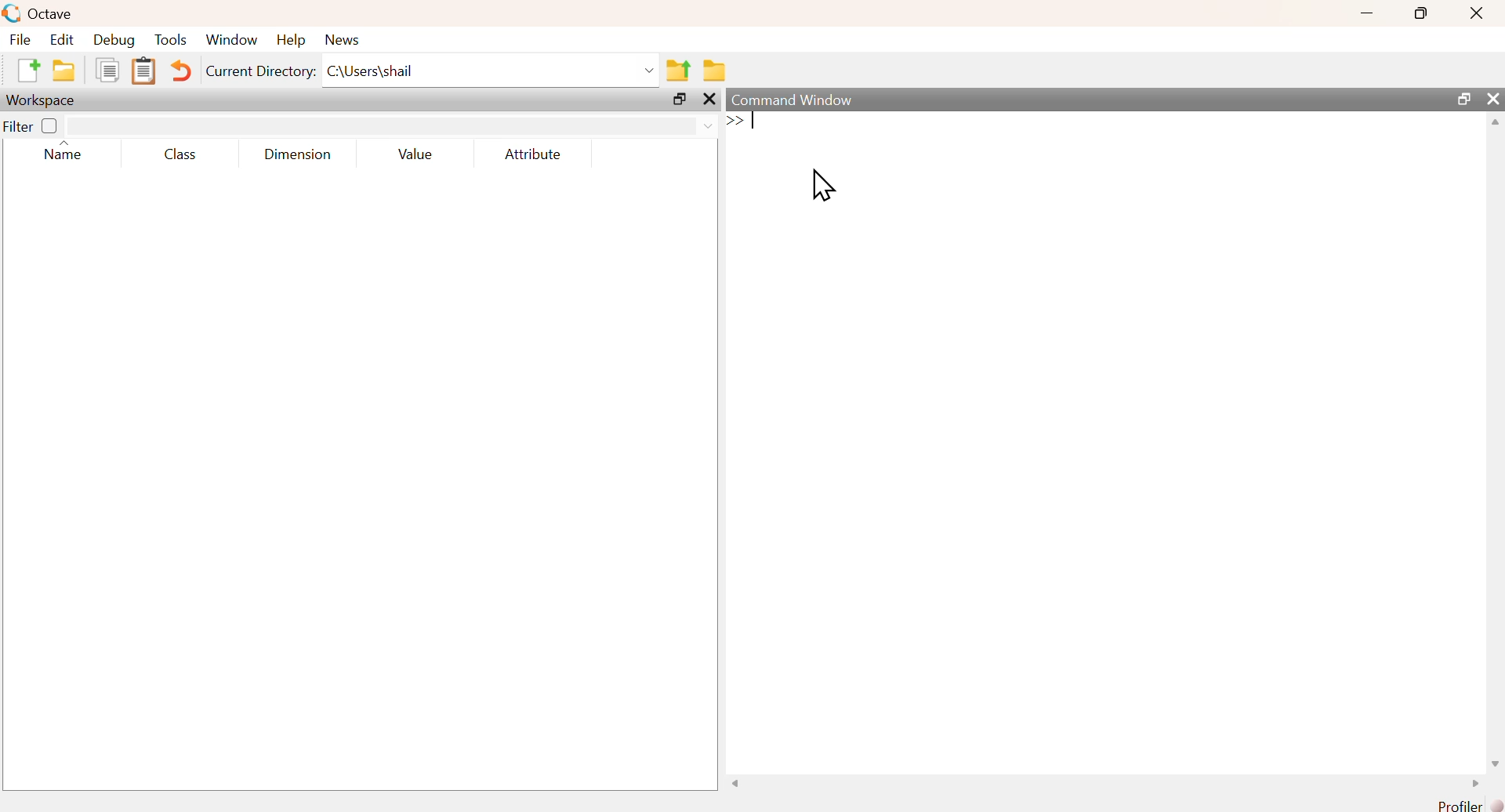 This screenshot has width=1505, height=812. I want to click on typing cursor, so click(739, 122).